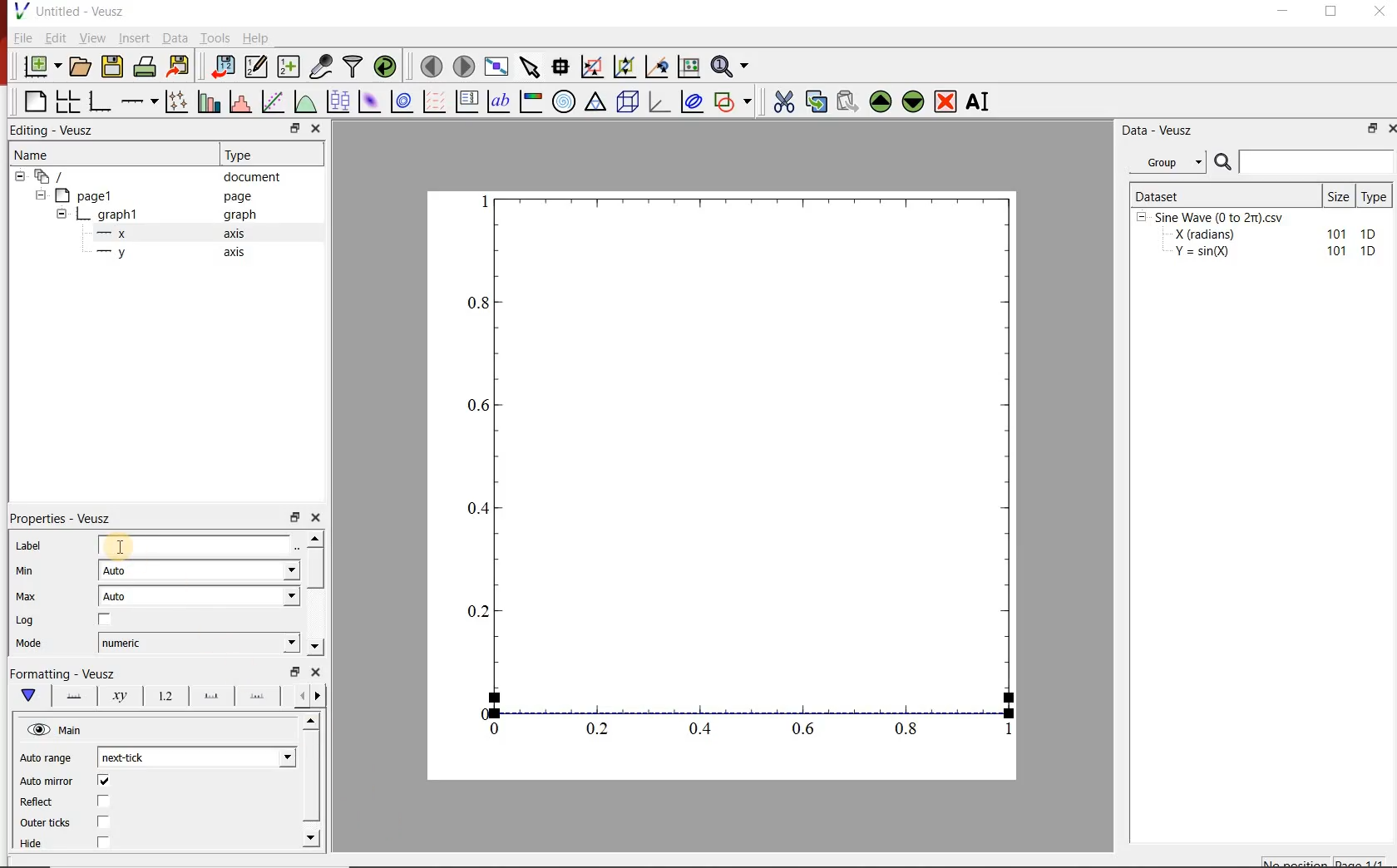 Image resolution: width=1397 pixels, height=868 pixels. What do you see at coordinates (323, 67) in the screenshot?
I see `capture remote data` at bounding box center [323, 67].